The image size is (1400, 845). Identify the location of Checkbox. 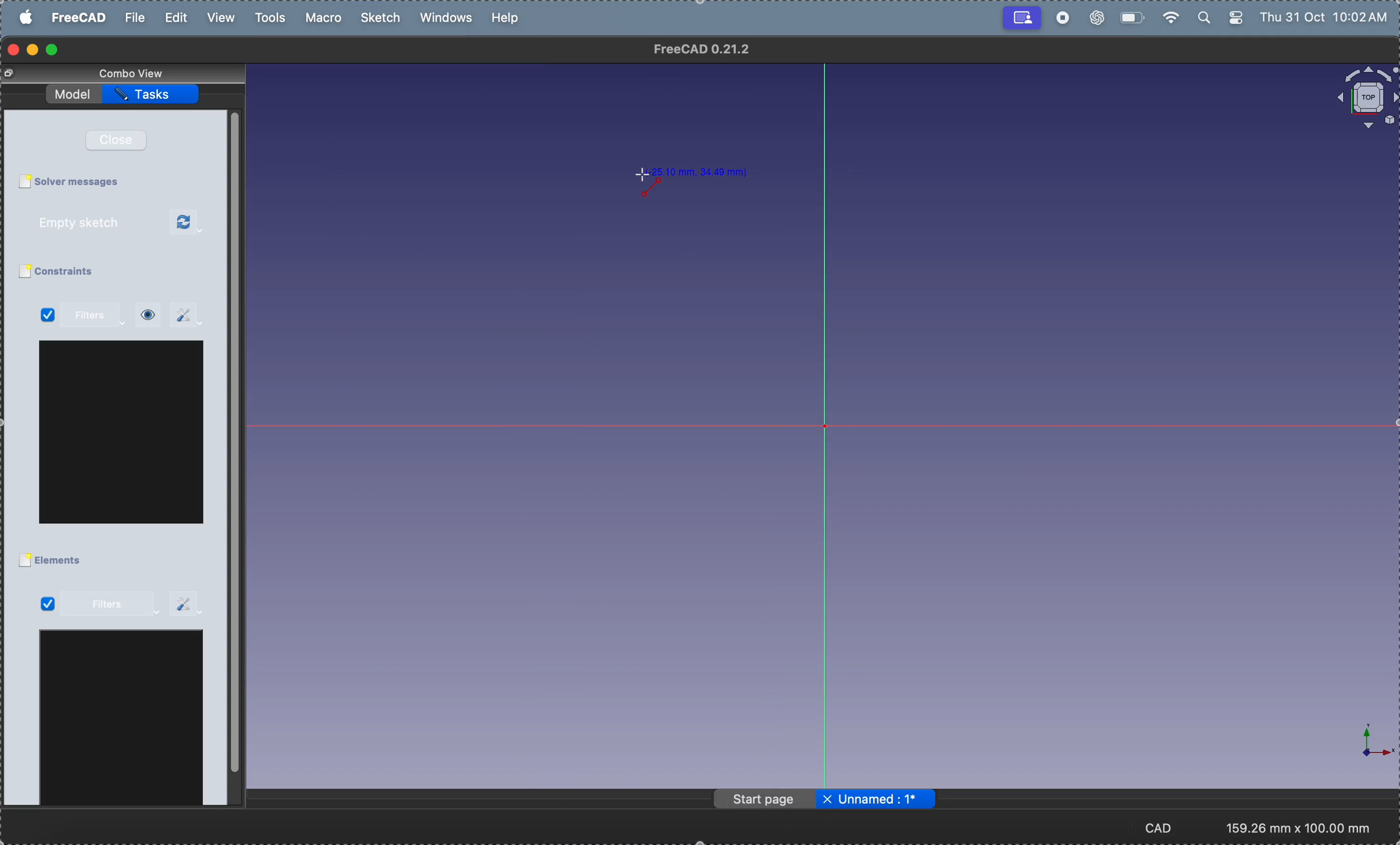
(23, 272).